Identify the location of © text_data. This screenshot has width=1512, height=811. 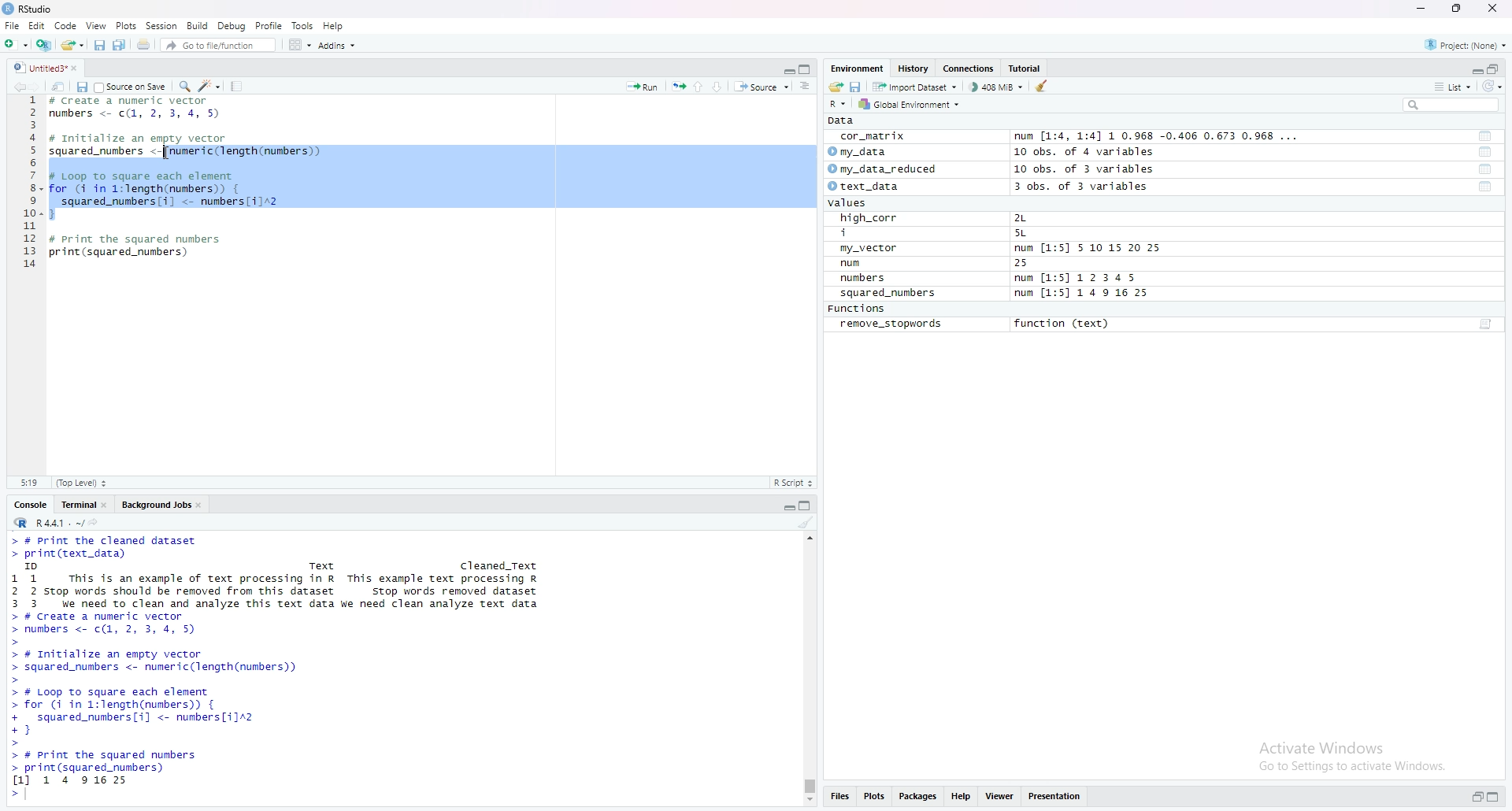
(865, 187).